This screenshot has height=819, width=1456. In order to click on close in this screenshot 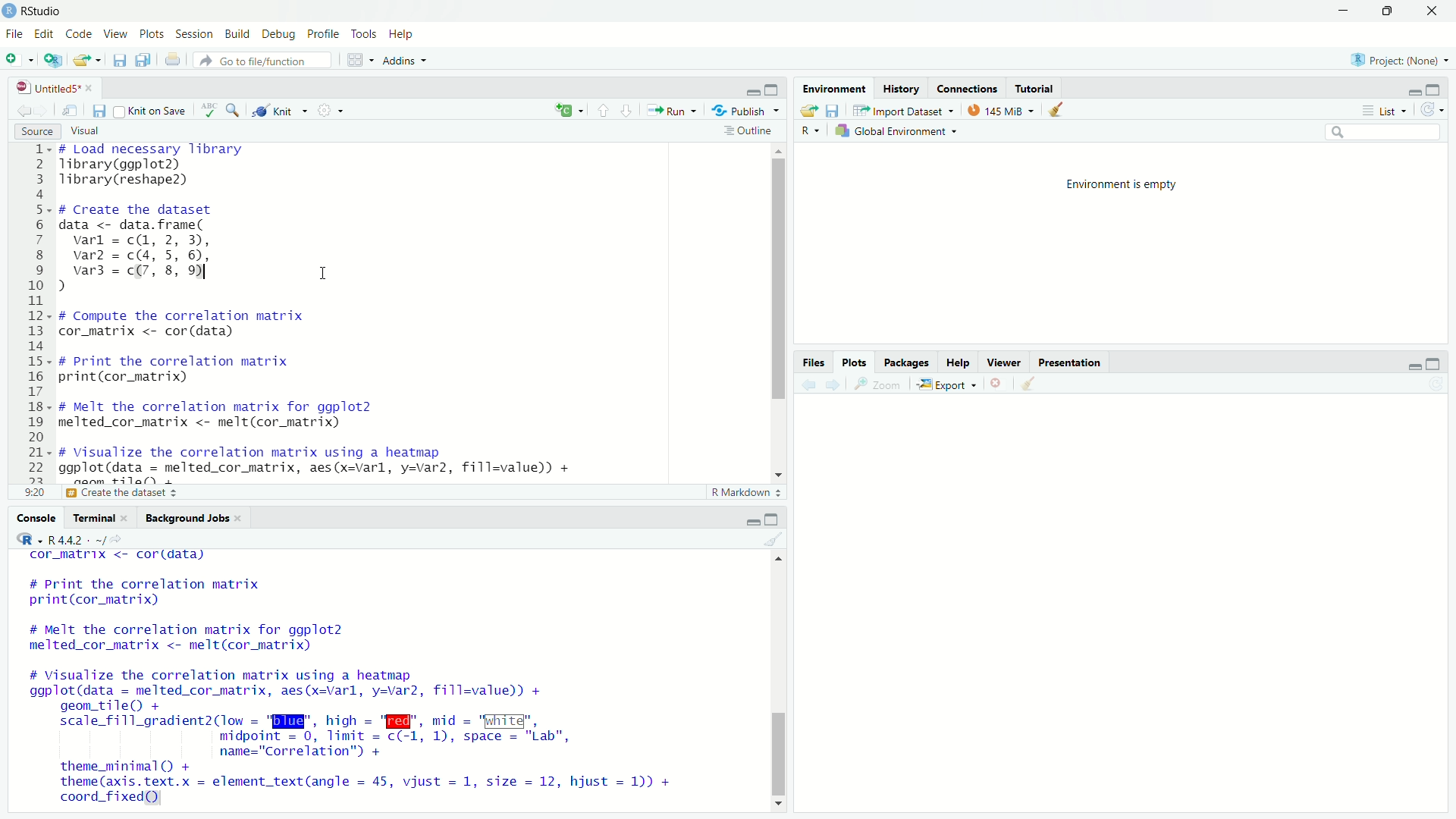, I will do `click(1433, 11)`.